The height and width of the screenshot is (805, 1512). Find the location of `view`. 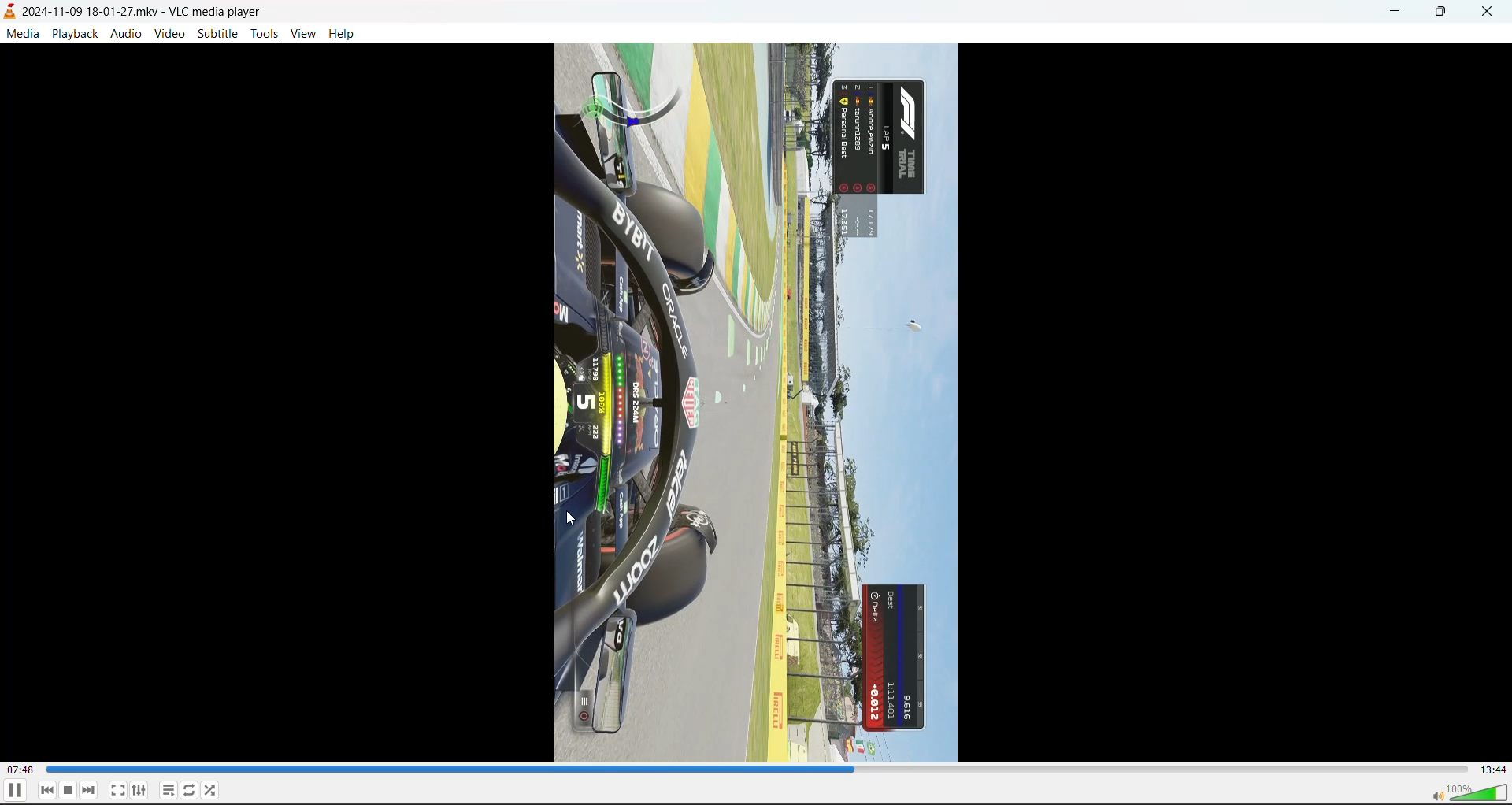

view is located at coordinates (306, 32).